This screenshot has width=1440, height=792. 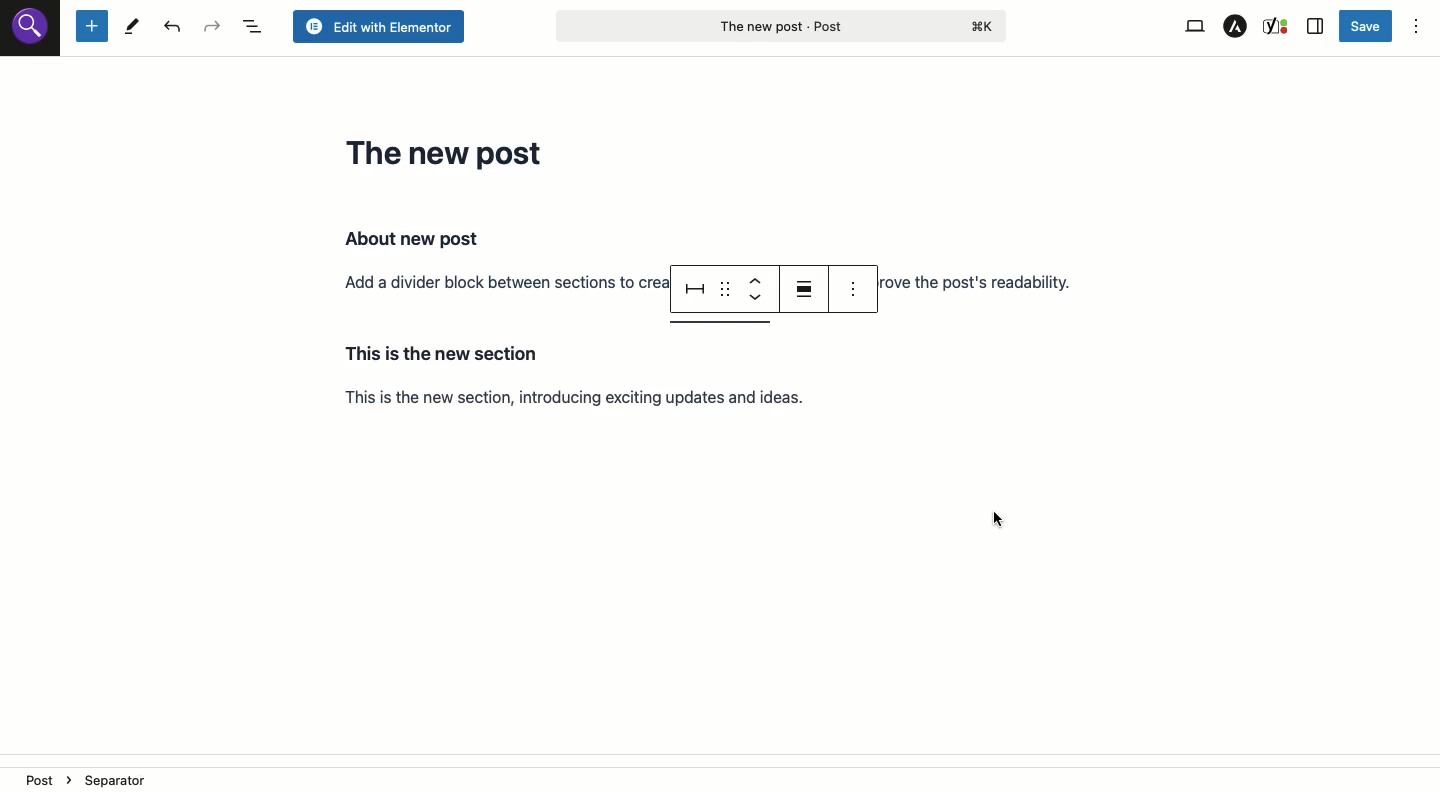 What do you see at coordinates (780, 25) in the screenshot?
I see `Post` at bounding box center [780, 25].